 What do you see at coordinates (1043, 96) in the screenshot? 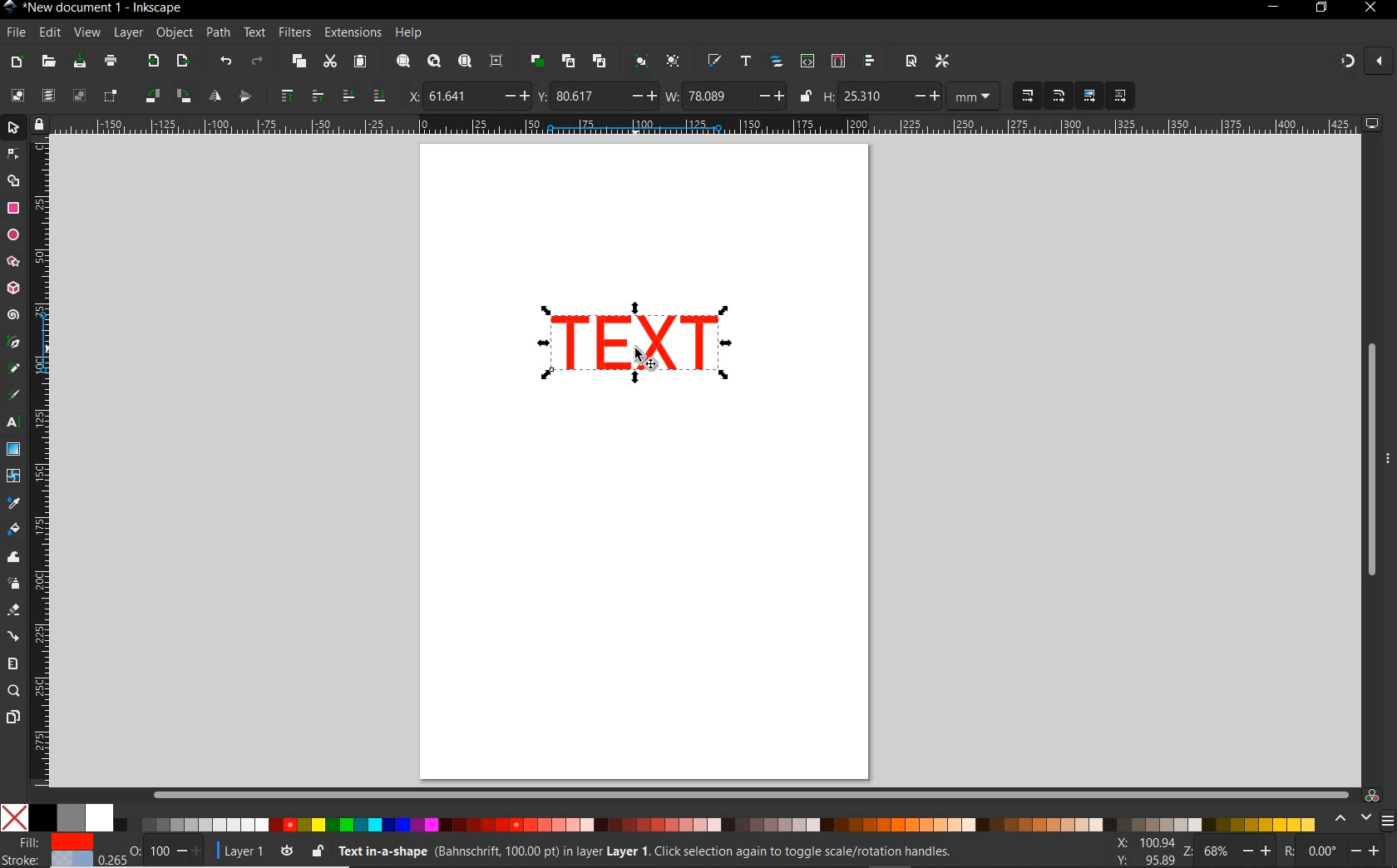
I see `SCALING` at bounding box center [1043, 96].